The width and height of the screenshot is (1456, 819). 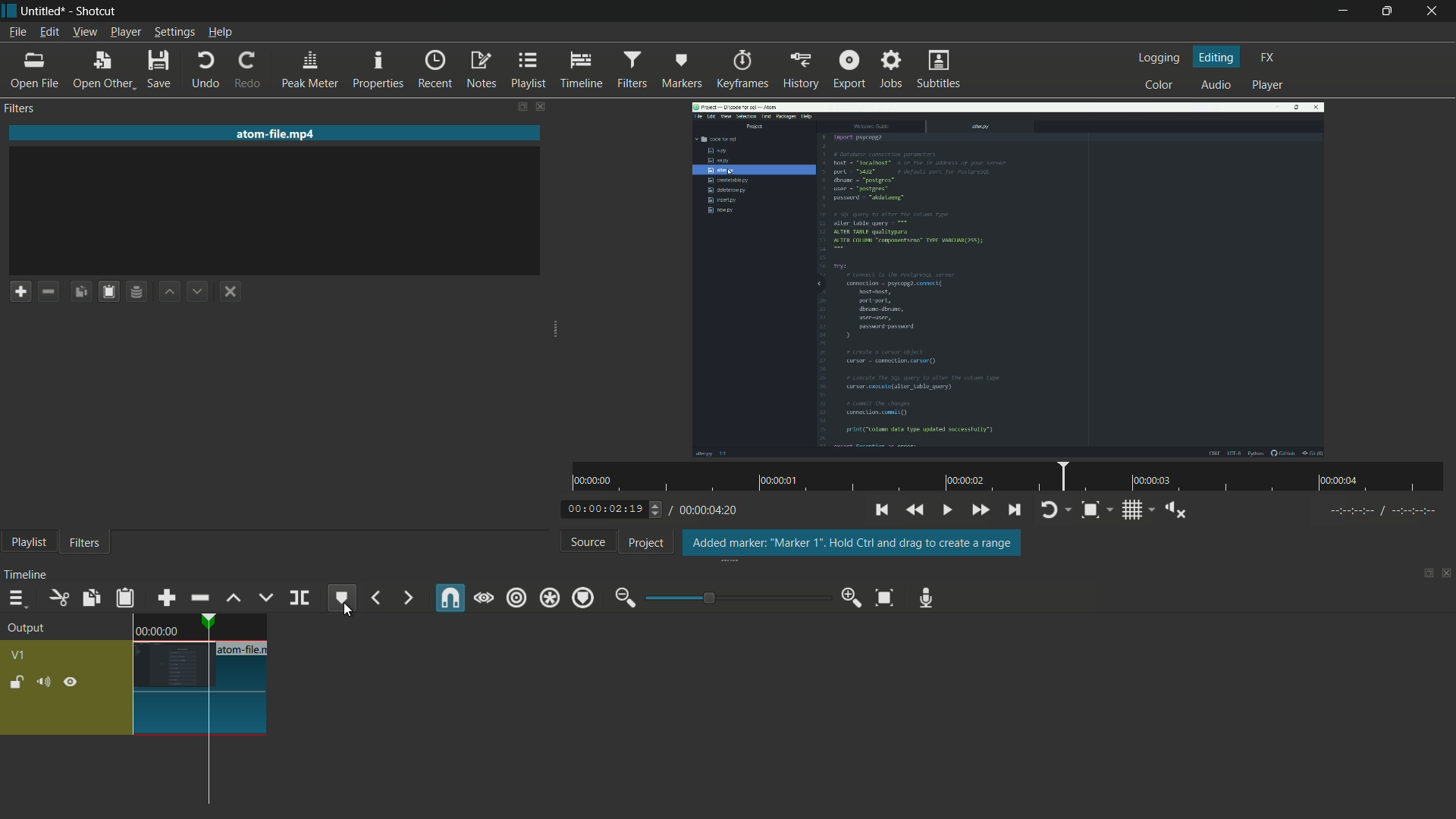 I want to click on open other, so click(x=99, y=71).